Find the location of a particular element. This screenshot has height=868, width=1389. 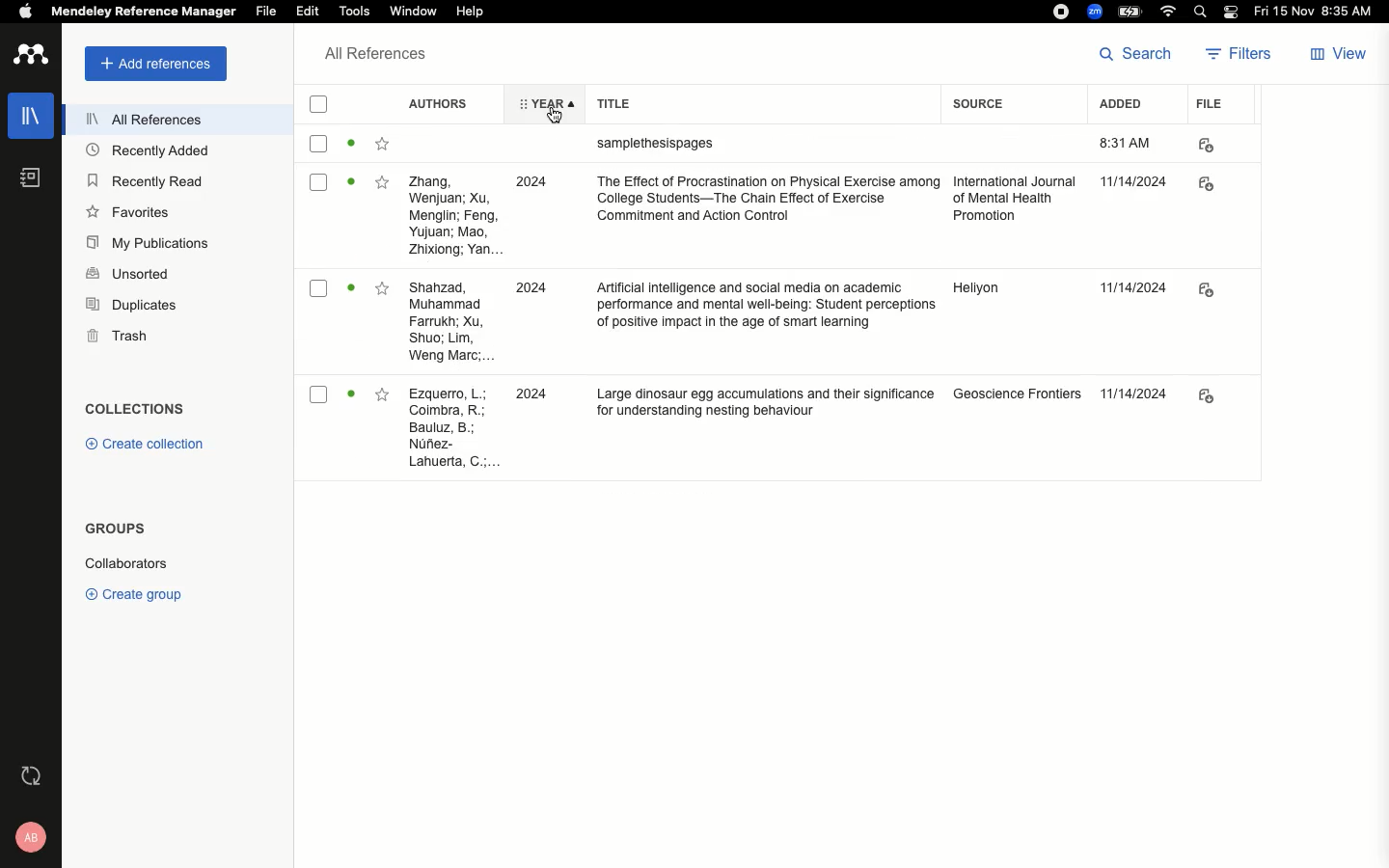

Add references is located at coordinates (155, 64).